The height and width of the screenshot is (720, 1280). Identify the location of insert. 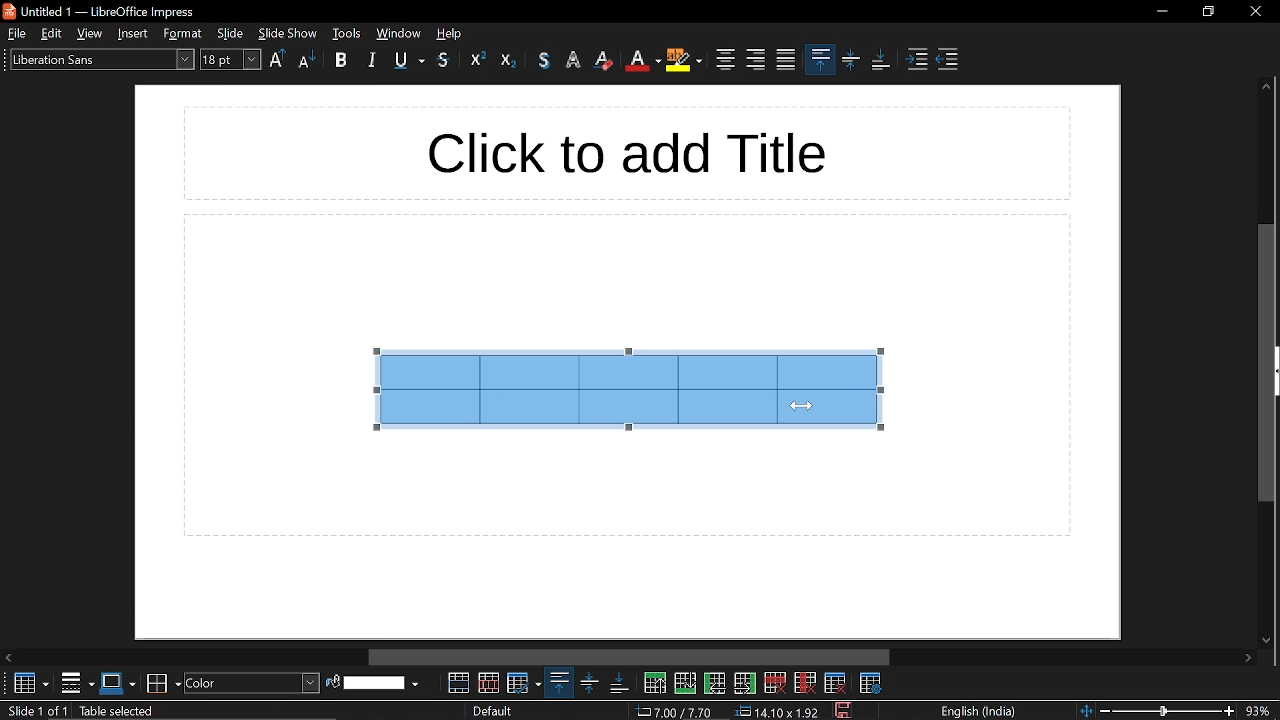
(132, 34).